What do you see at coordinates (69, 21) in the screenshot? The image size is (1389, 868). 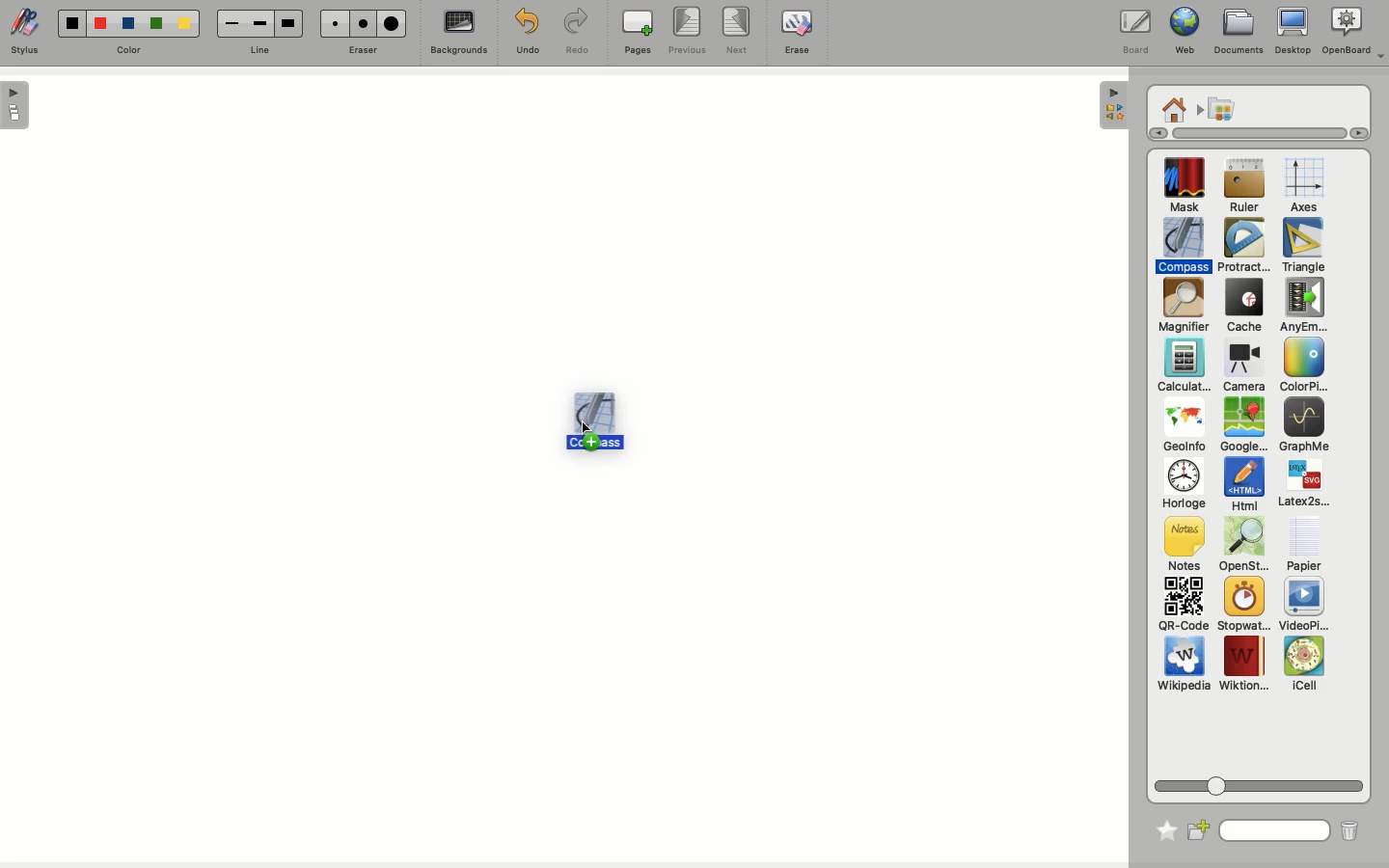 I see `color1` at bounding box center [69, 21].